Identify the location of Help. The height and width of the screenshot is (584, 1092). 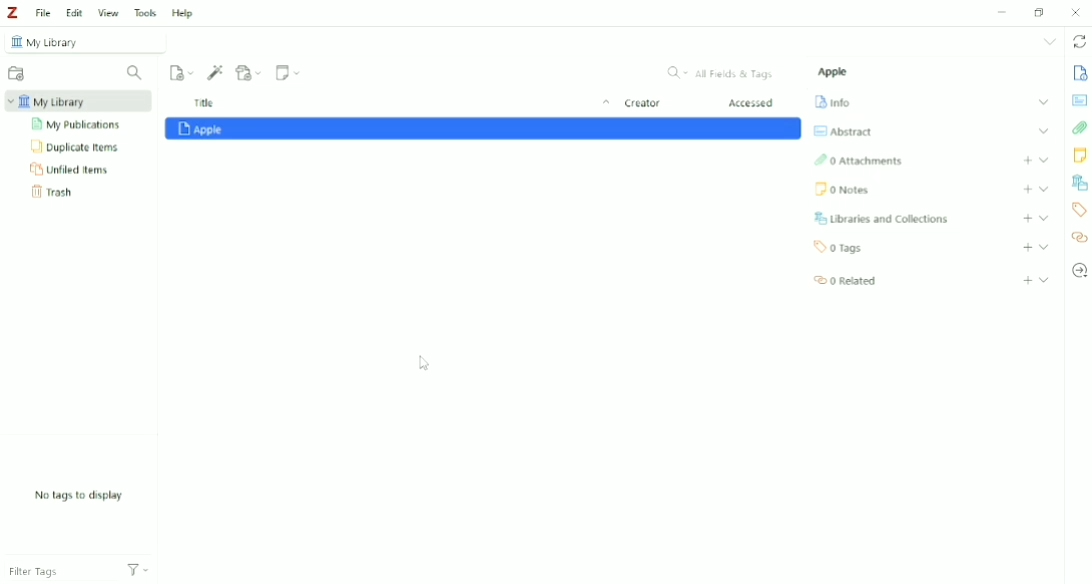
(182, 12).